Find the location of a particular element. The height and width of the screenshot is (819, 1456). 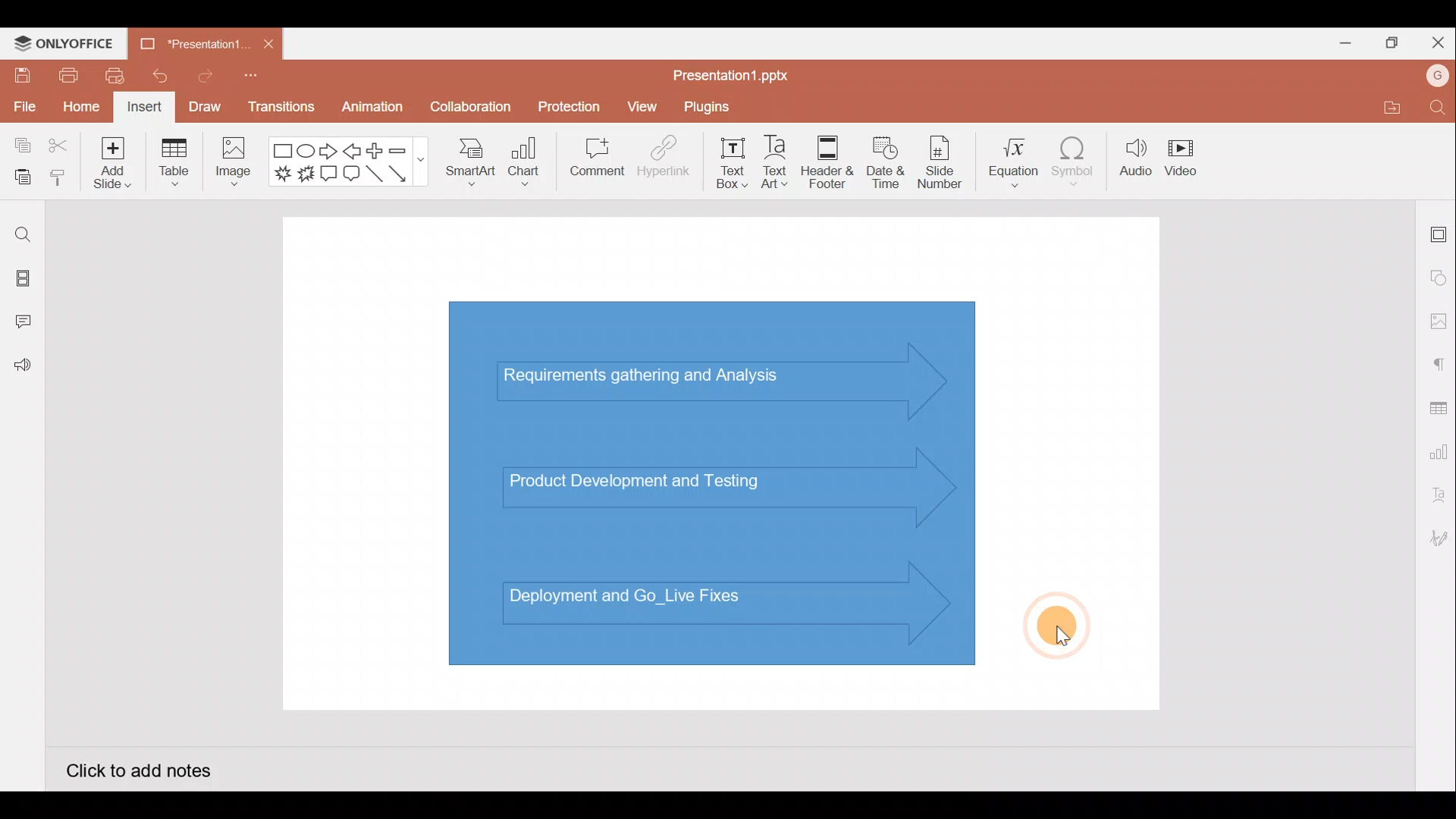

Copy style is located at coordinates (59, 180).